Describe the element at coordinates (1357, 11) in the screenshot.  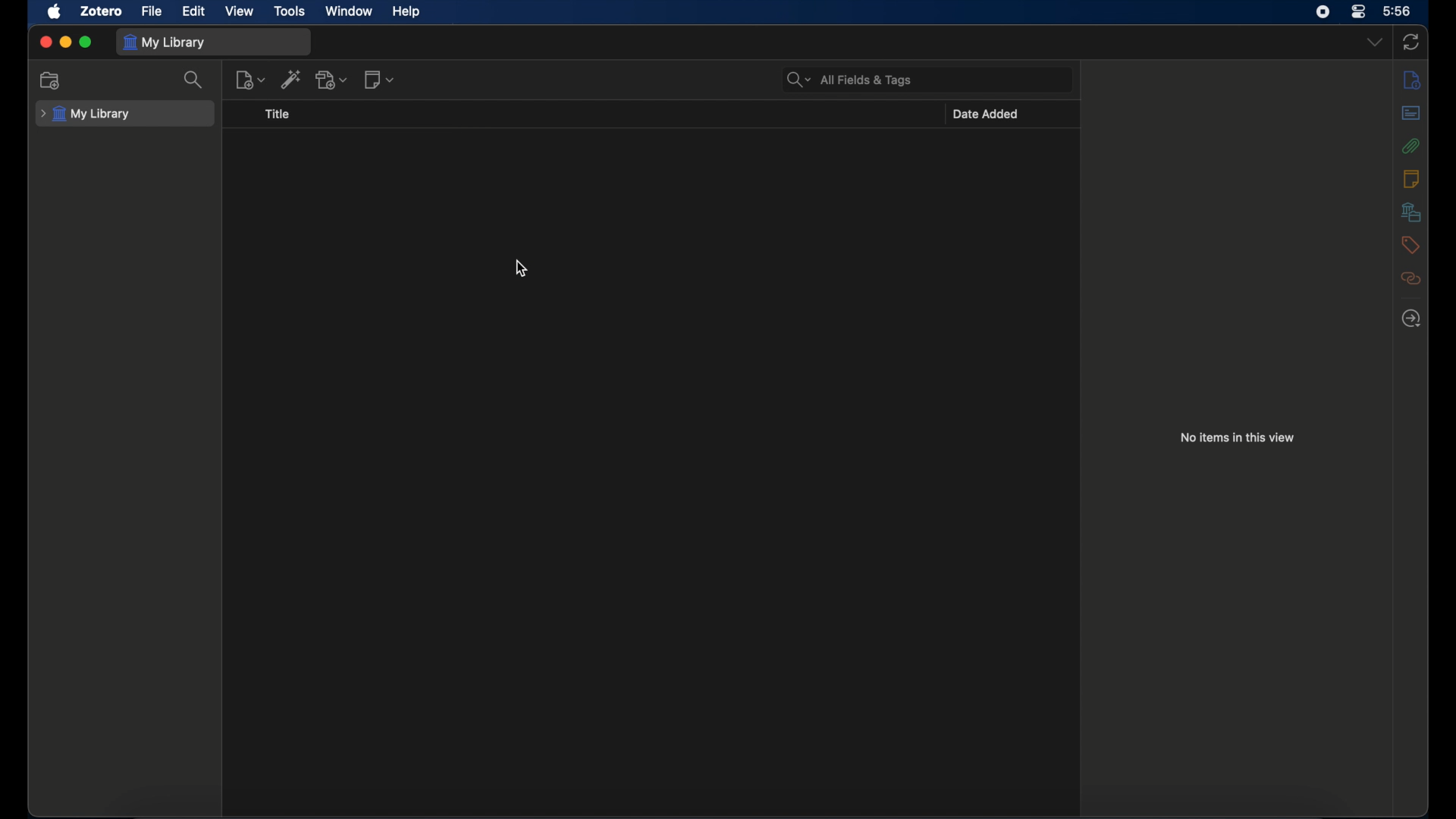
I see `control center` at that location.